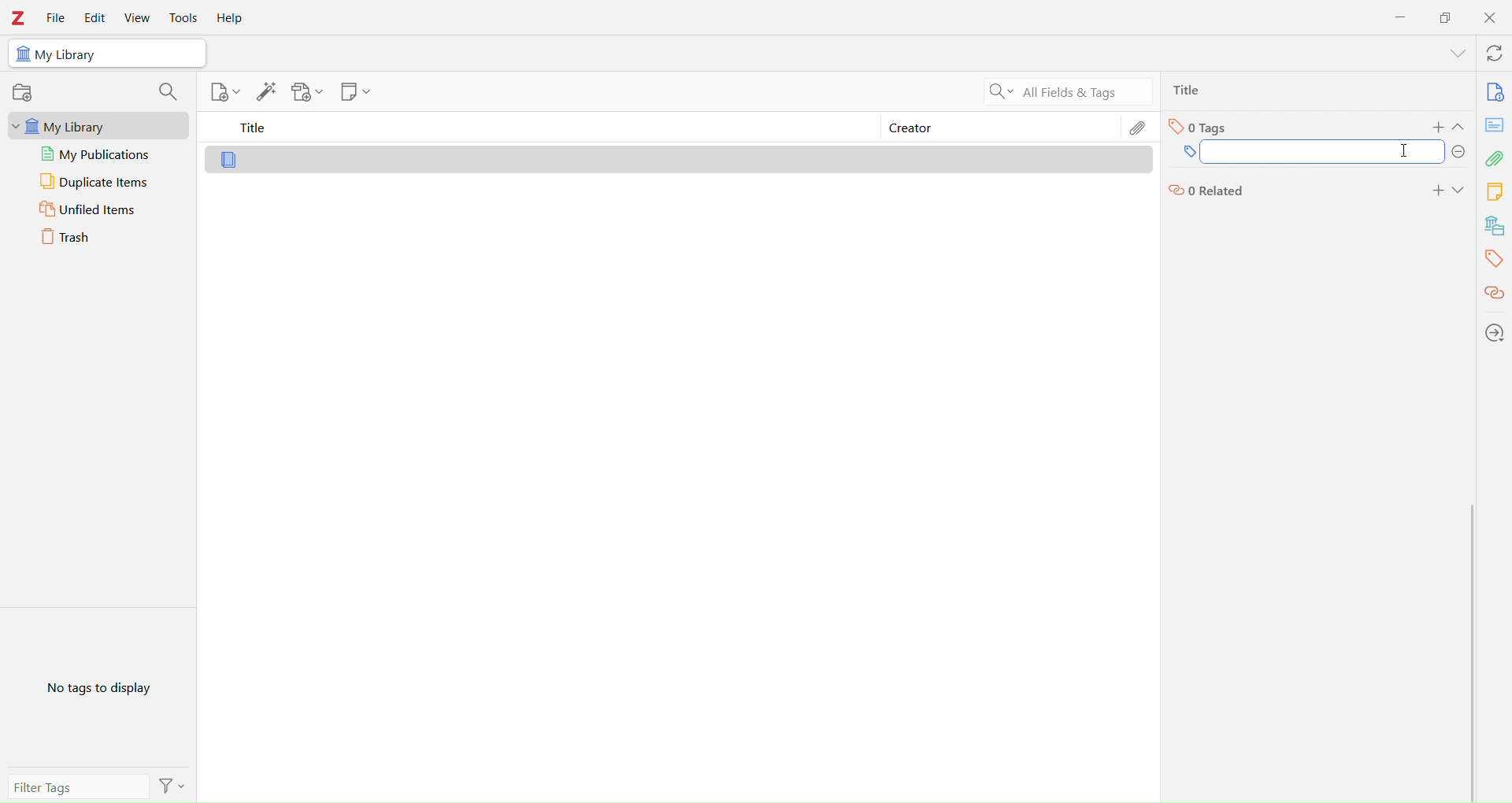 The image size is (1512, 803). I want to click on Unfiled Items, so click(91, 212).